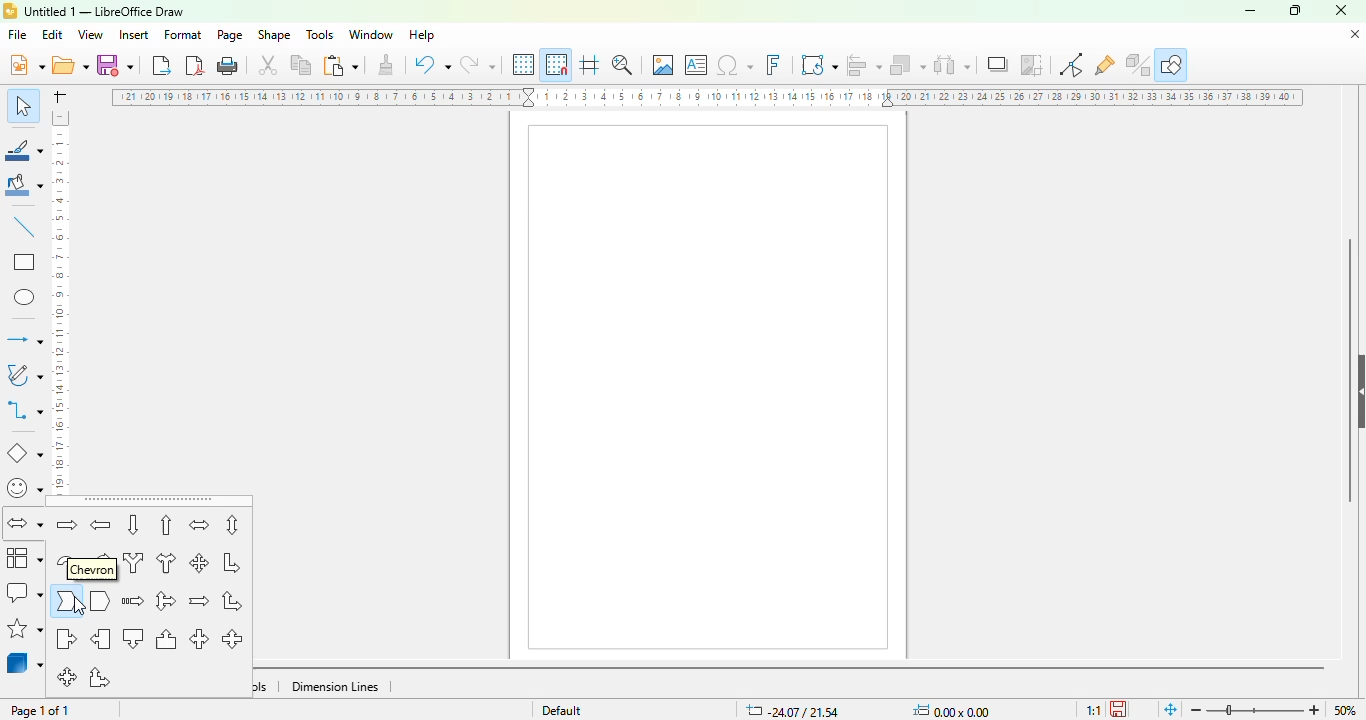 This screenshot has width=1366, height=720. I want to click on show, so click(1357, 392).